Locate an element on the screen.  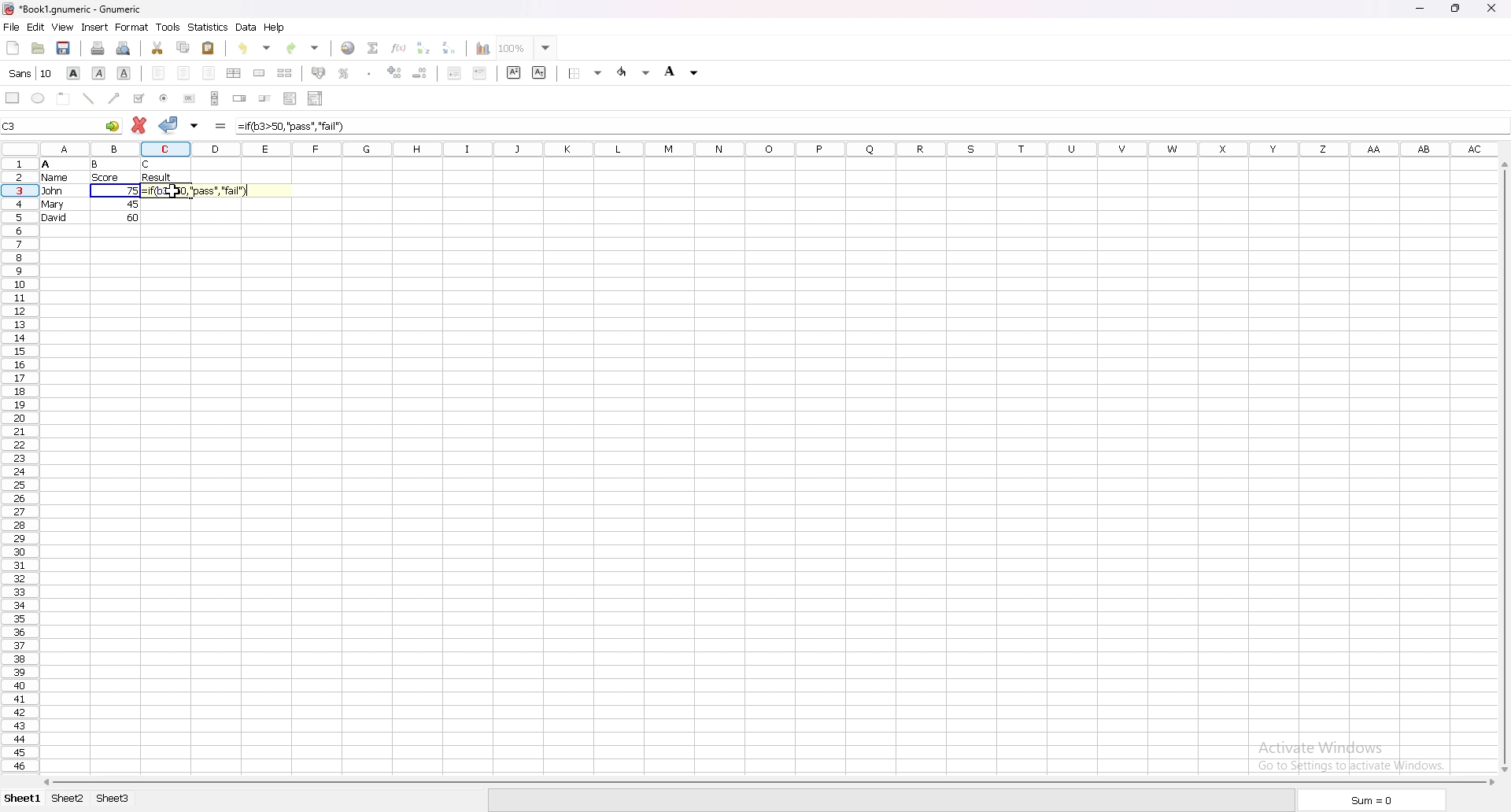
75 is located at coordinates (134, 190).